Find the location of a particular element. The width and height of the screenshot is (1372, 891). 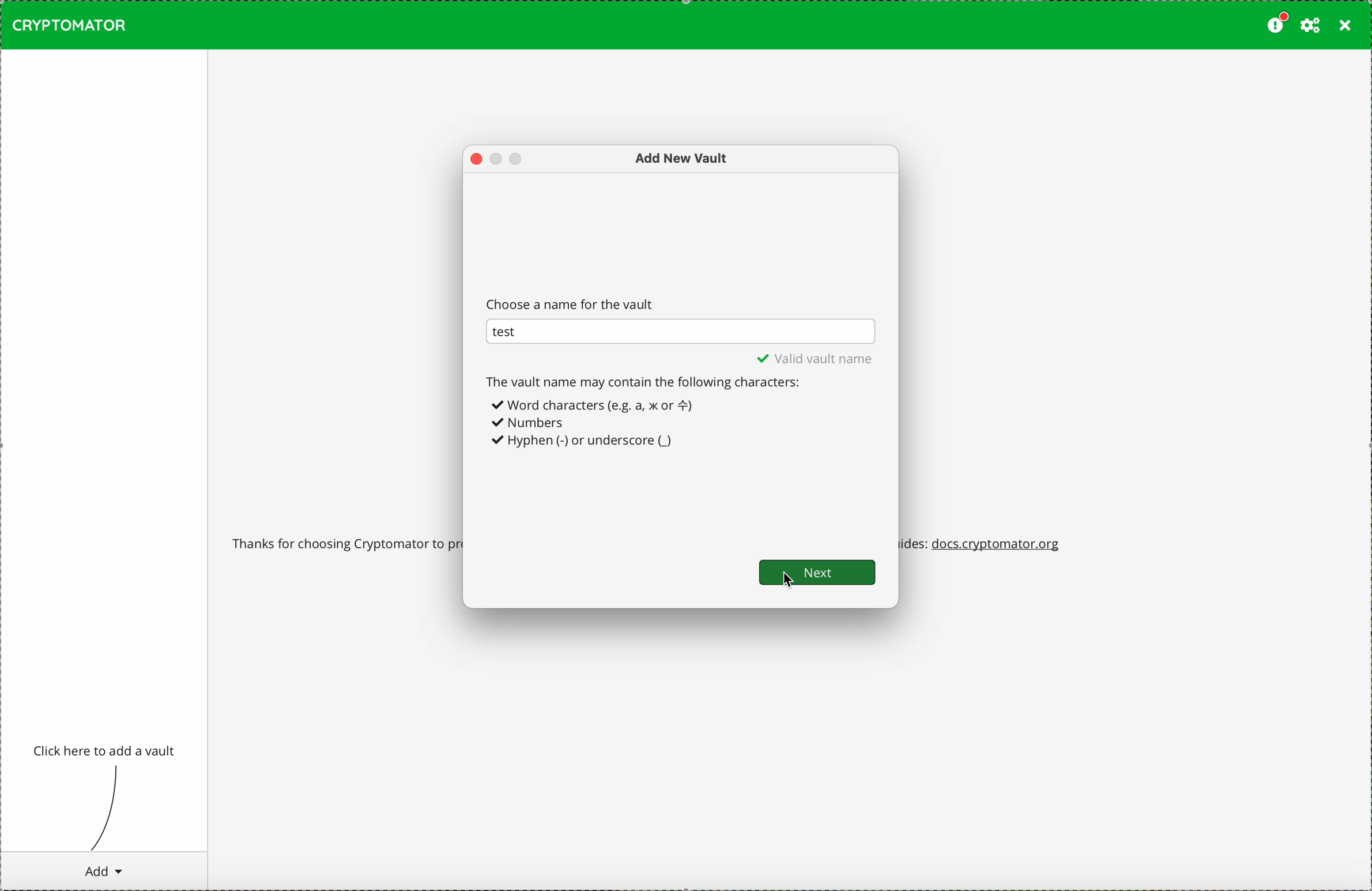

close is located at coordinates (1345, 26).